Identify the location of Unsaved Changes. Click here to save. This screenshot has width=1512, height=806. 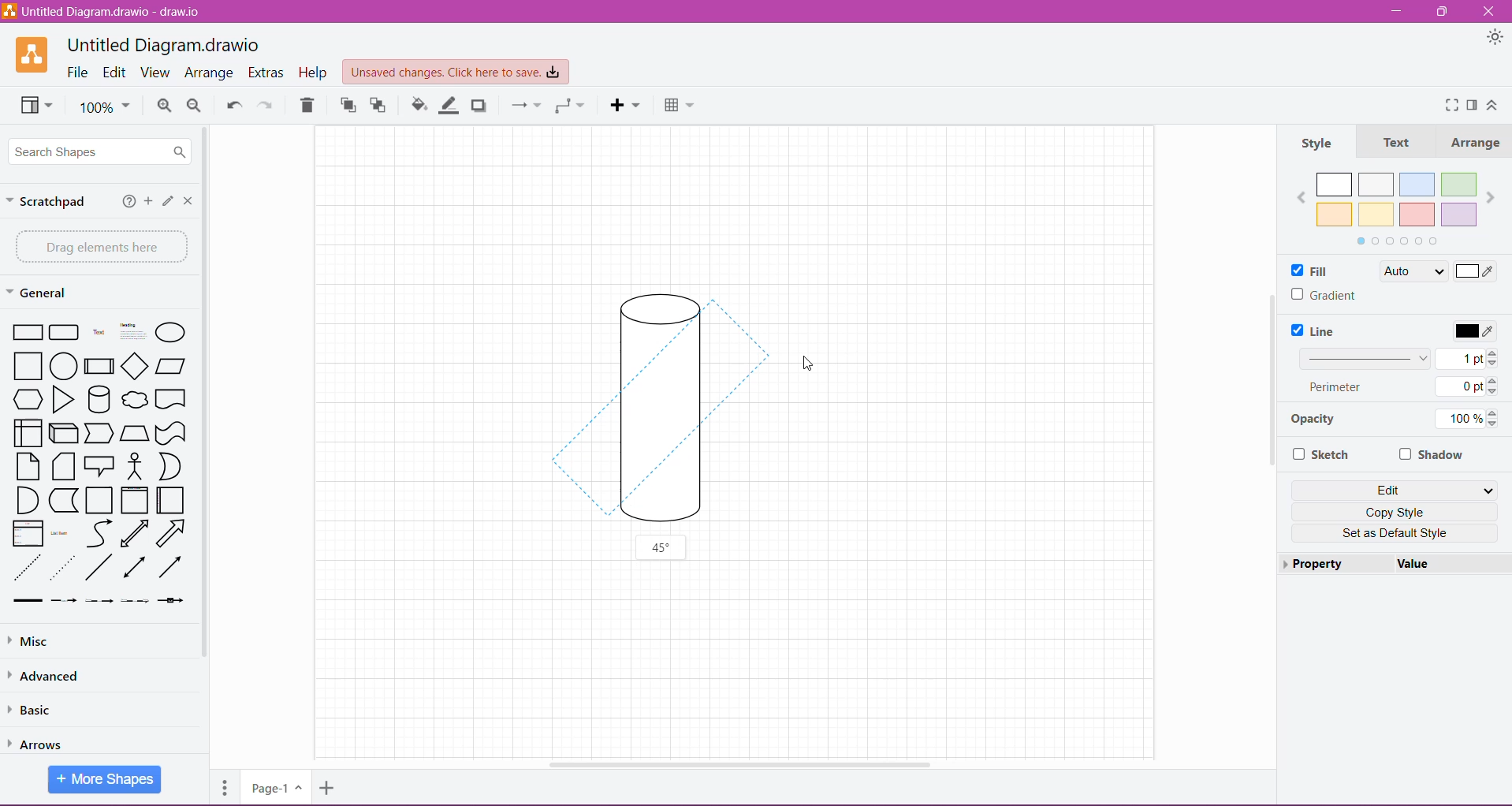
(453, 70).